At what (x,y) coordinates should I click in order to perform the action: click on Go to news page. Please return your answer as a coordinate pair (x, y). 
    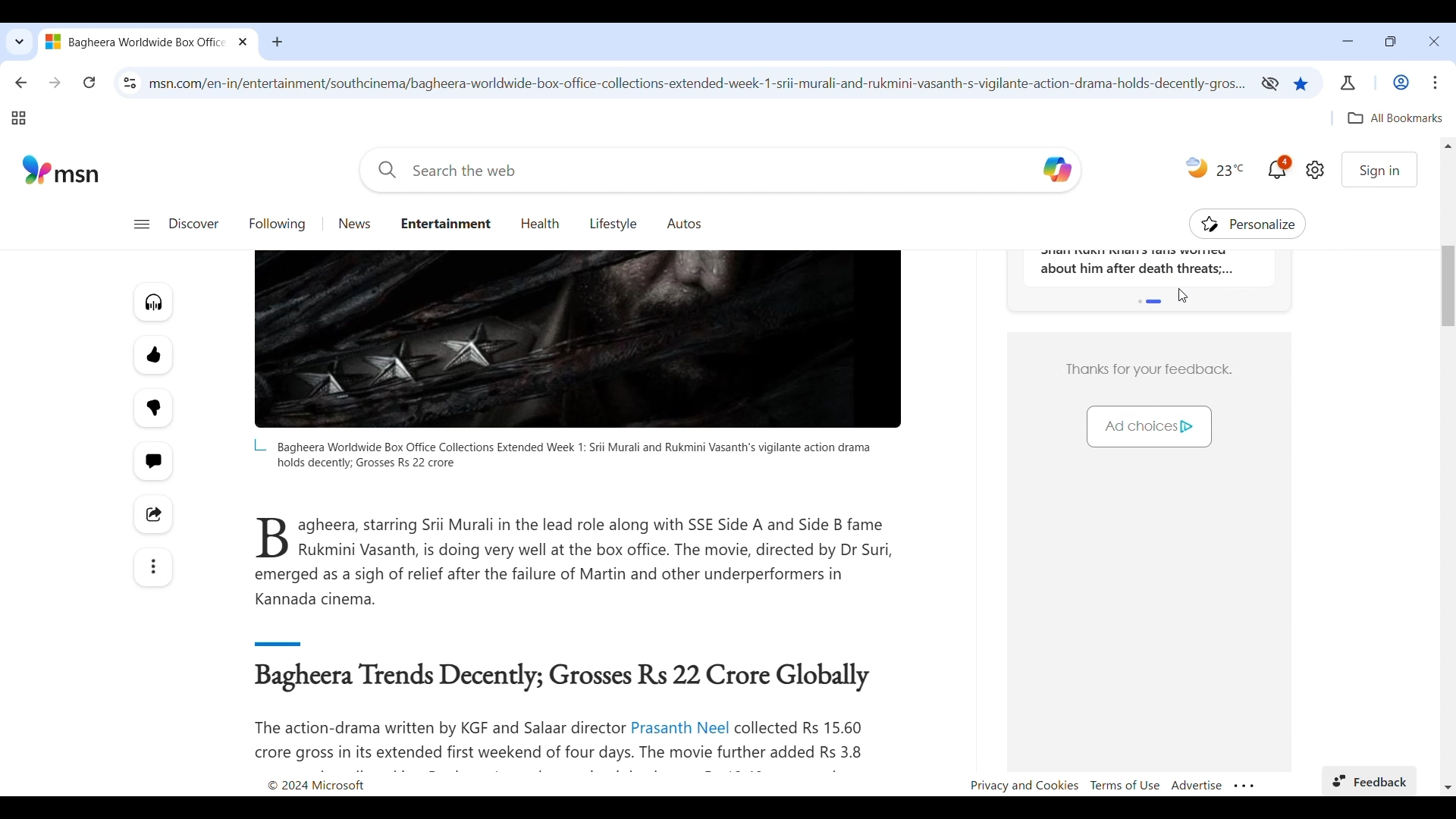
    Looking at the image, I should click on (356, 224).